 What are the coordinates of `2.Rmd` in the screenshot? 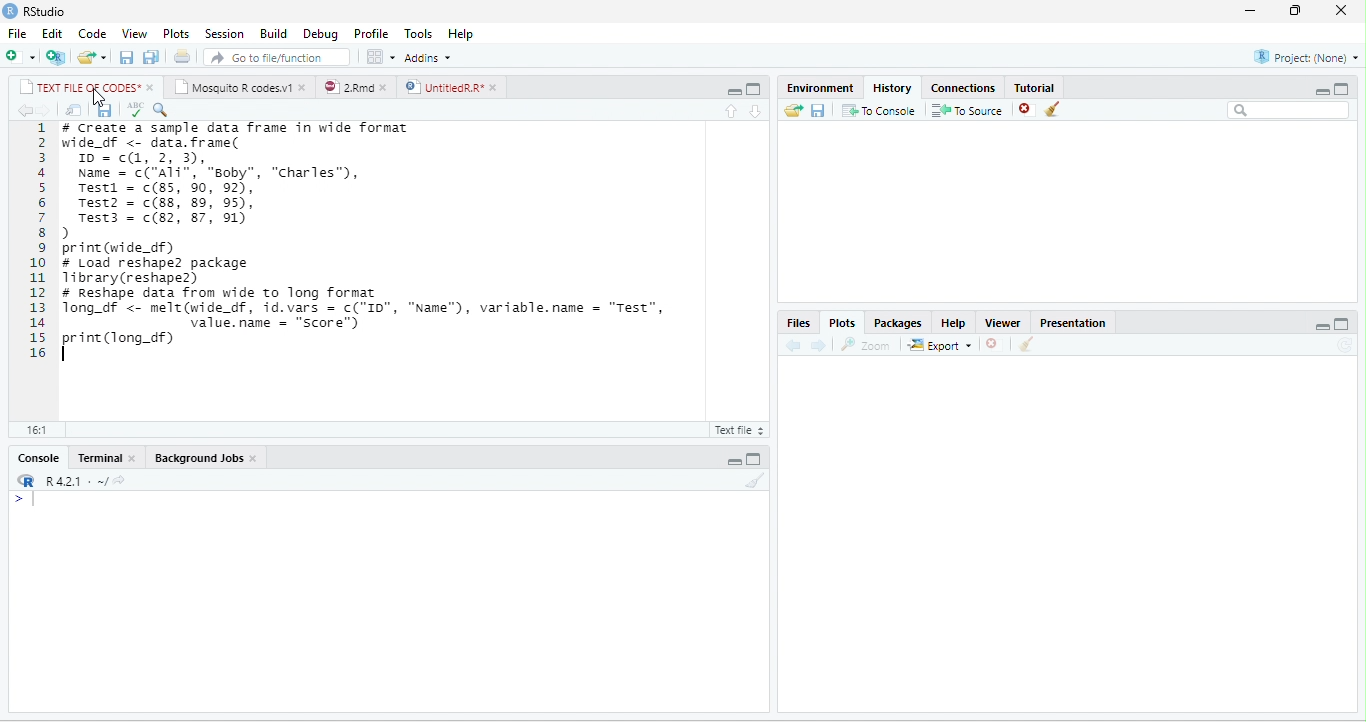 It's located at (348, 87).